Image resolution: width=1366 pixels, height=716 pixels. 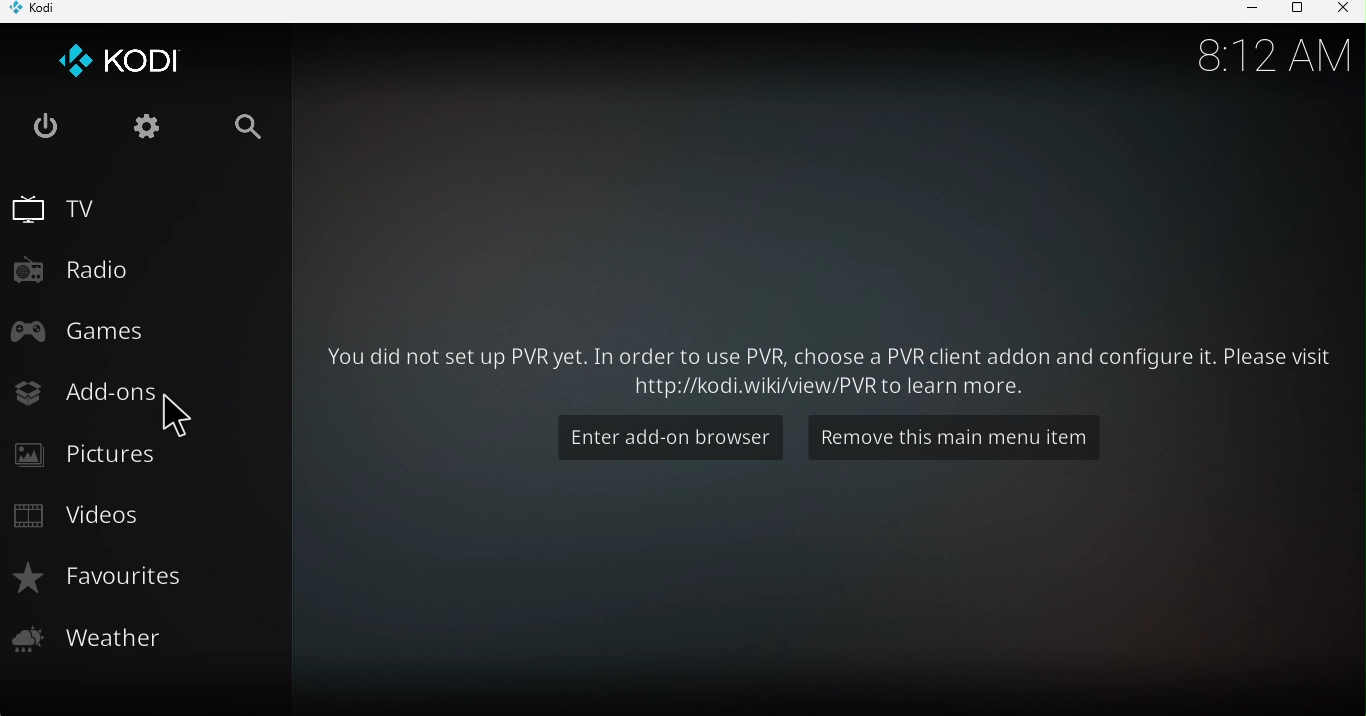 I want to click on Minimize, so click(x=1246, y=11).